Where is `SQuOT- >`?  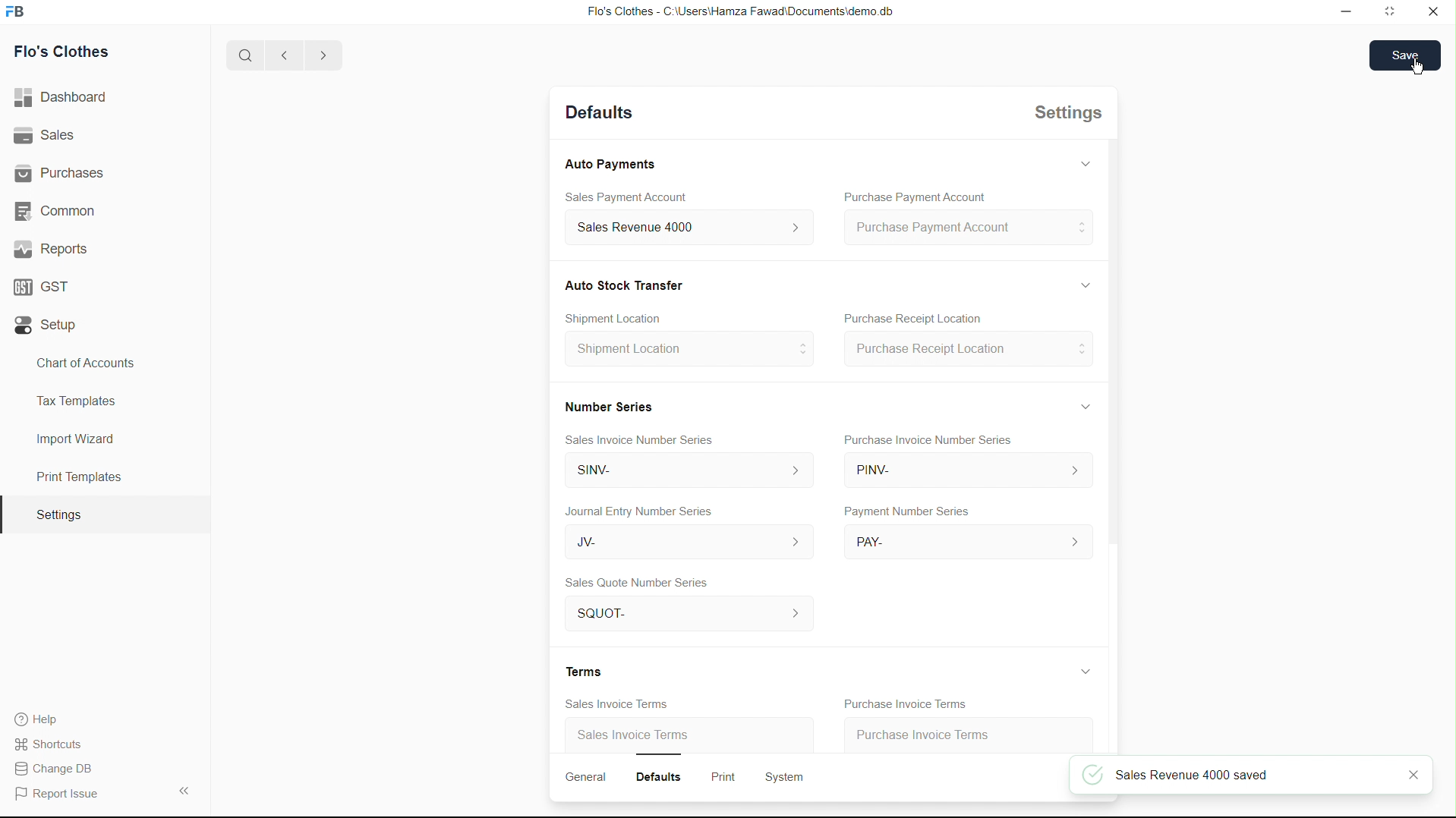
SQuOT- > is located at coordinates (679, 614).